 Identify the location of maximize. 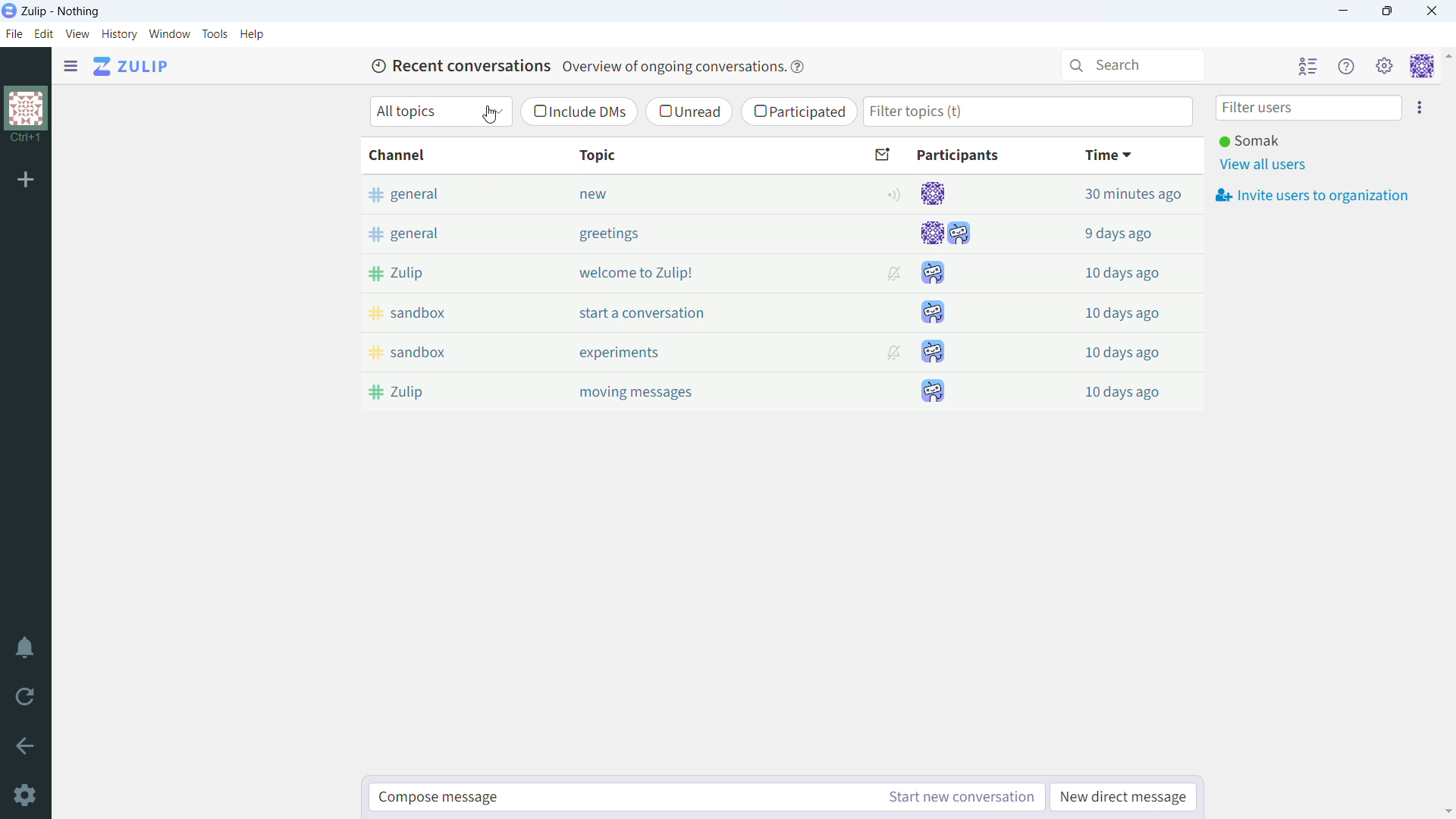
(1389, 11).